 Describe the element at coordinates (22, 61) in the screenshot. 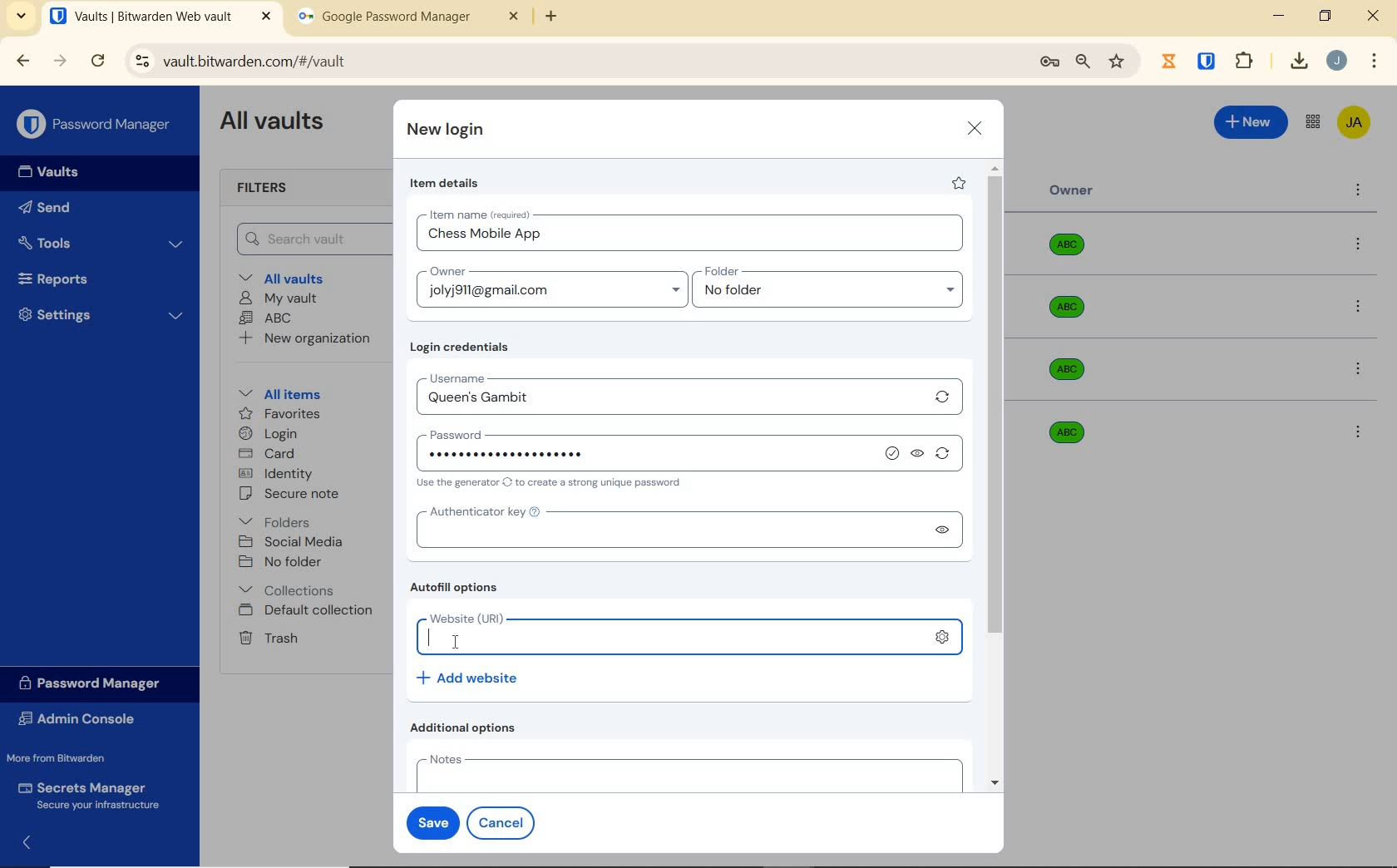

I see `backward` at that location.